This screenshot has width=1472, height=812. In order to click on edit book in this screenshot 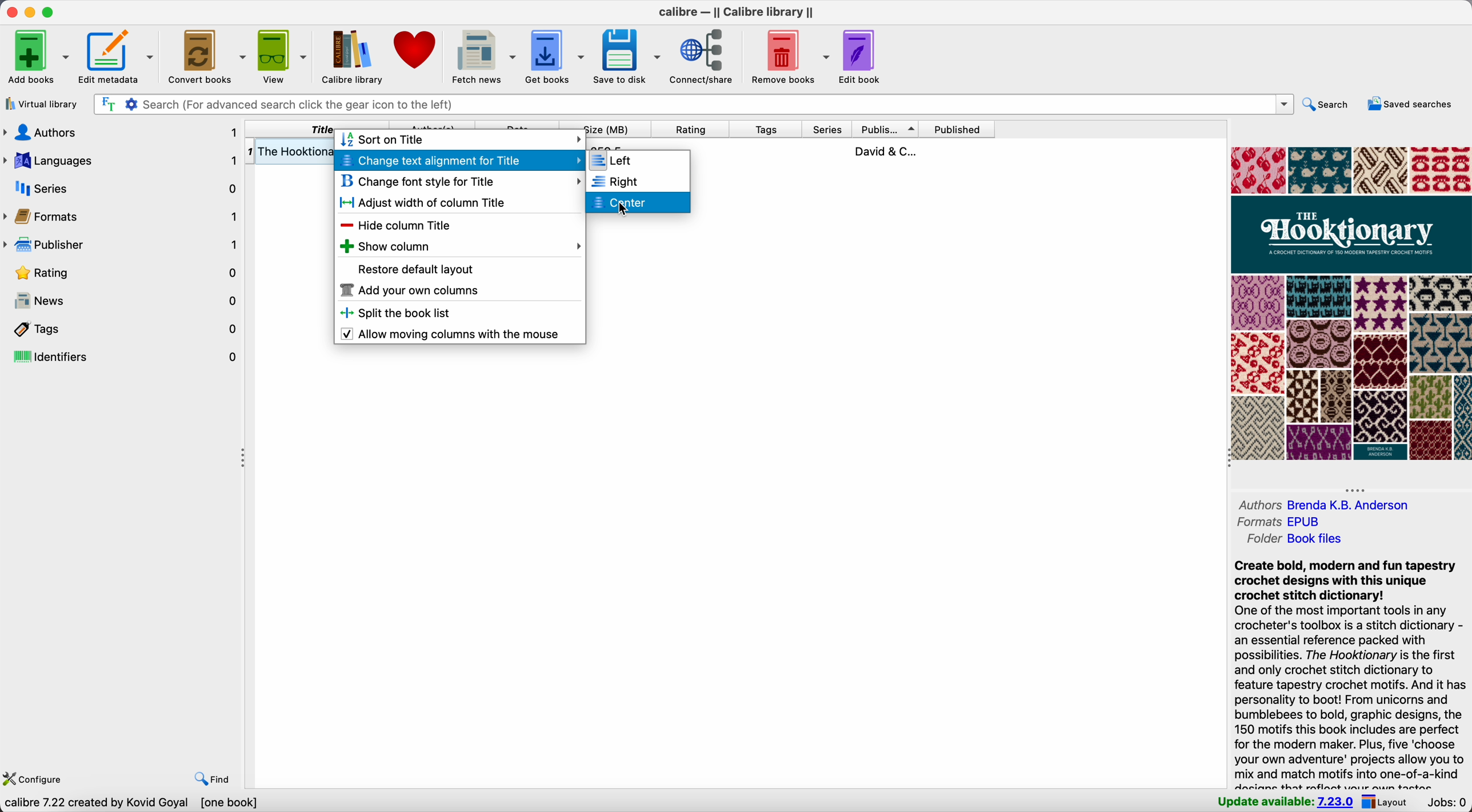, I will do `click(863, 56)`.